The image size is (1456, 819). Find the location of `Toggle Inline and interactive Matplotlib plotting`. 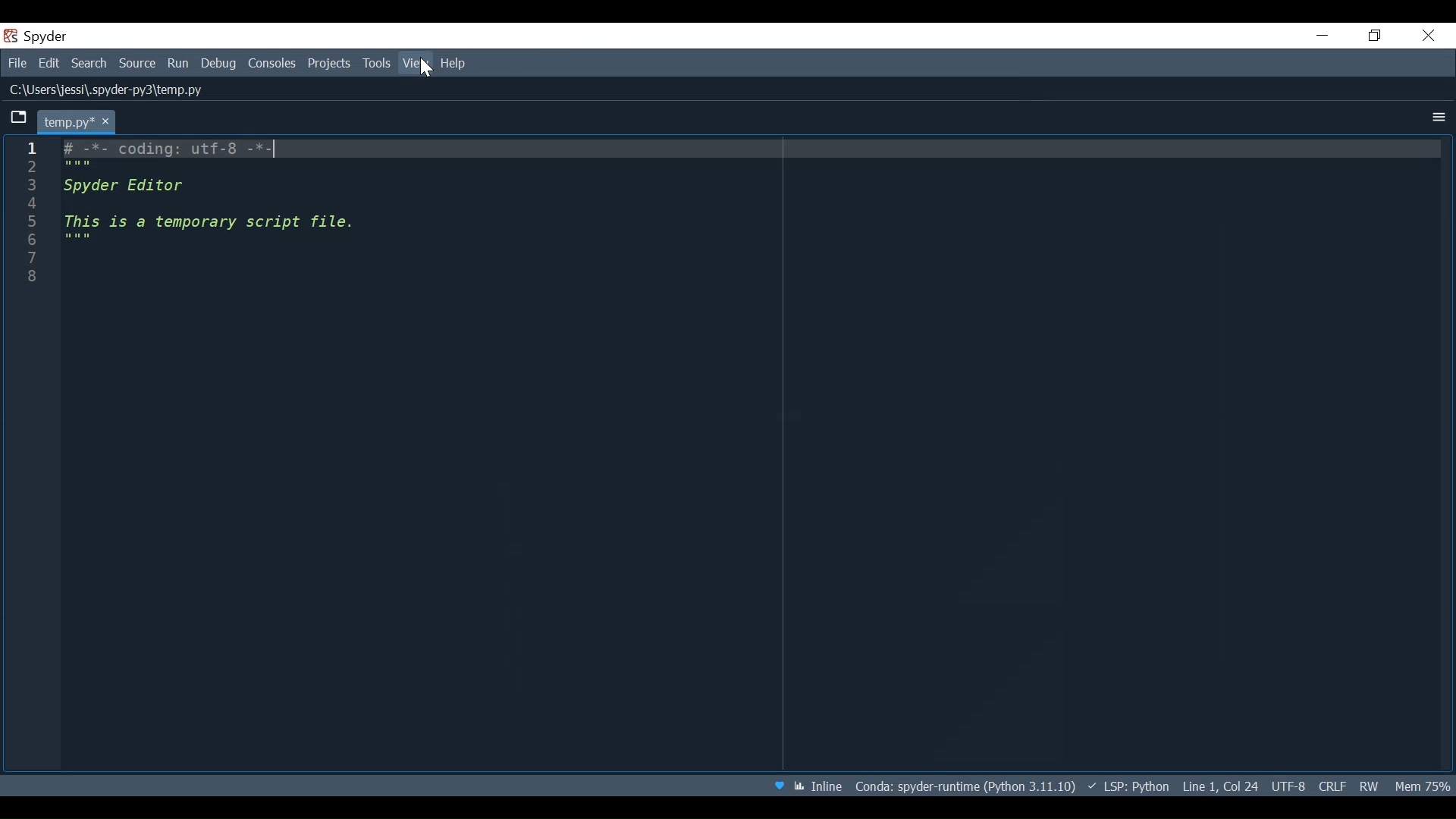

Toggle Inline and interactive Matplotlib plotting is located at coordinates (817, 786).